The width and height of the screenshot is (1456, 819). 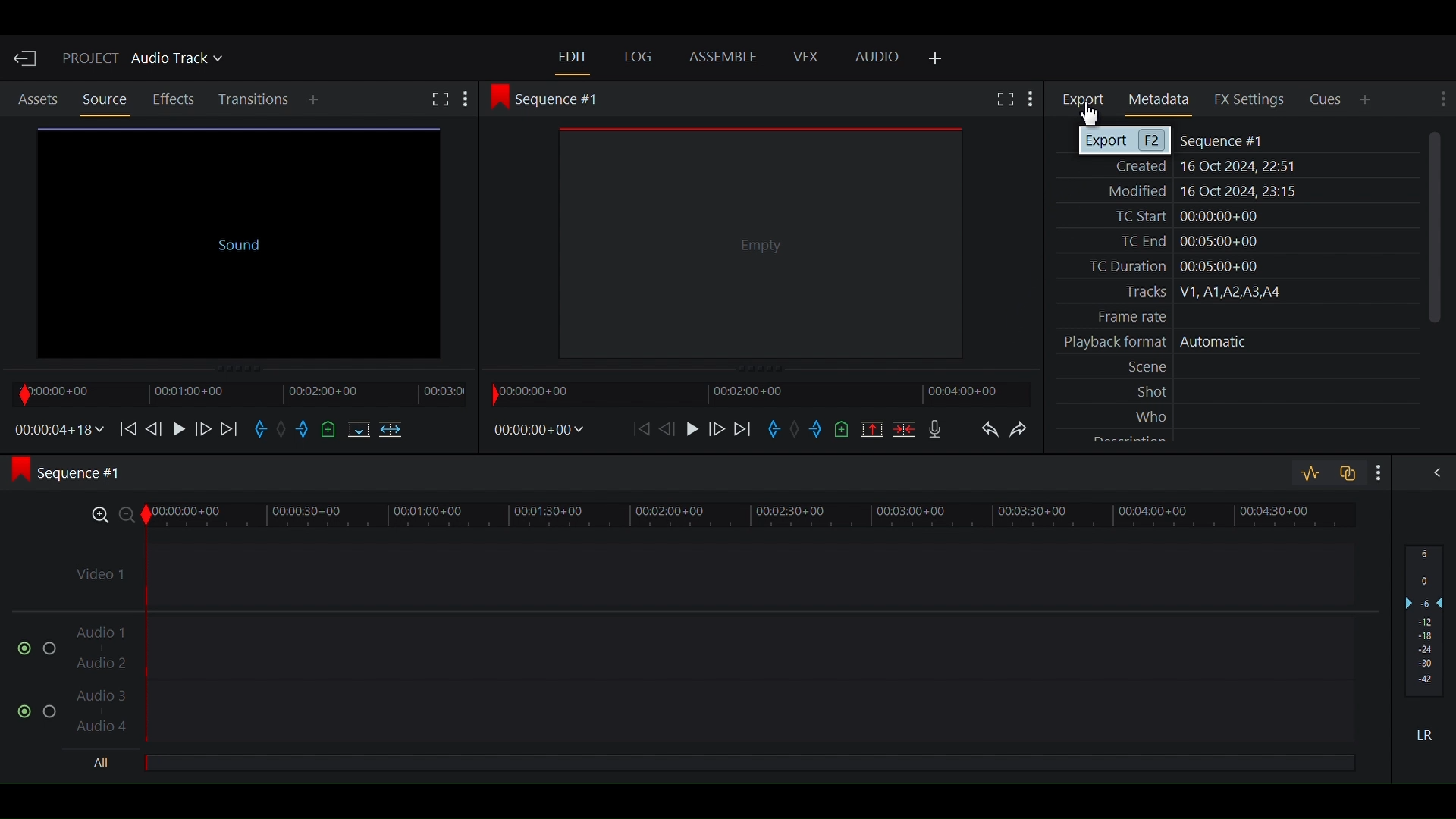 What do you see at coordinates (748, 764) in the screenshot?
I see `All` at bounding box center [748, 764].